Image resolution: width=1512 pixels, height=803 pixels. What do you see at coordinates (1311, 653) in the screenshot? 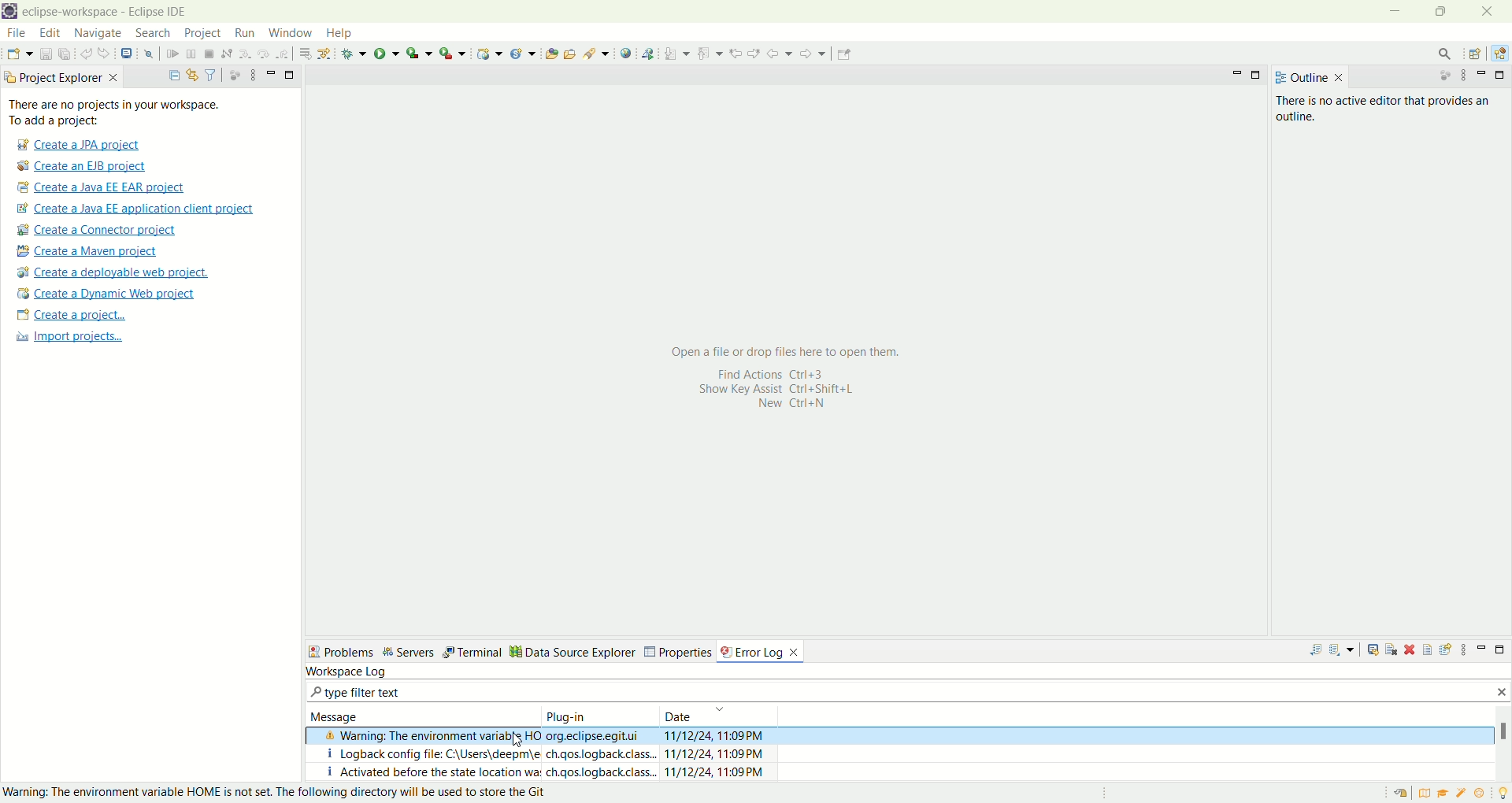
I see `export log` at bounding box center [1311, 653].